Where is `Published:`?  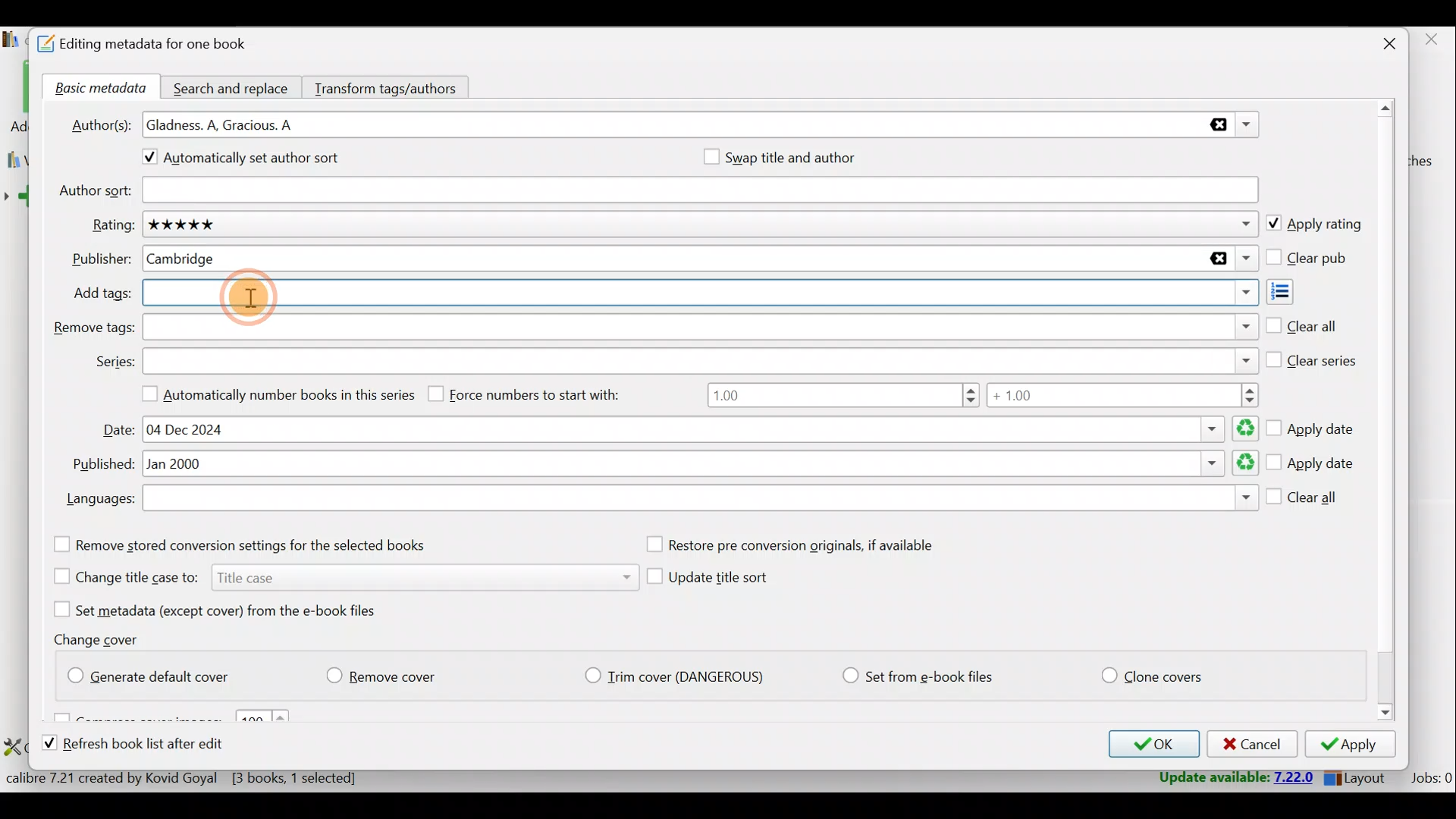
Published: is located at coordinates (100, 465).